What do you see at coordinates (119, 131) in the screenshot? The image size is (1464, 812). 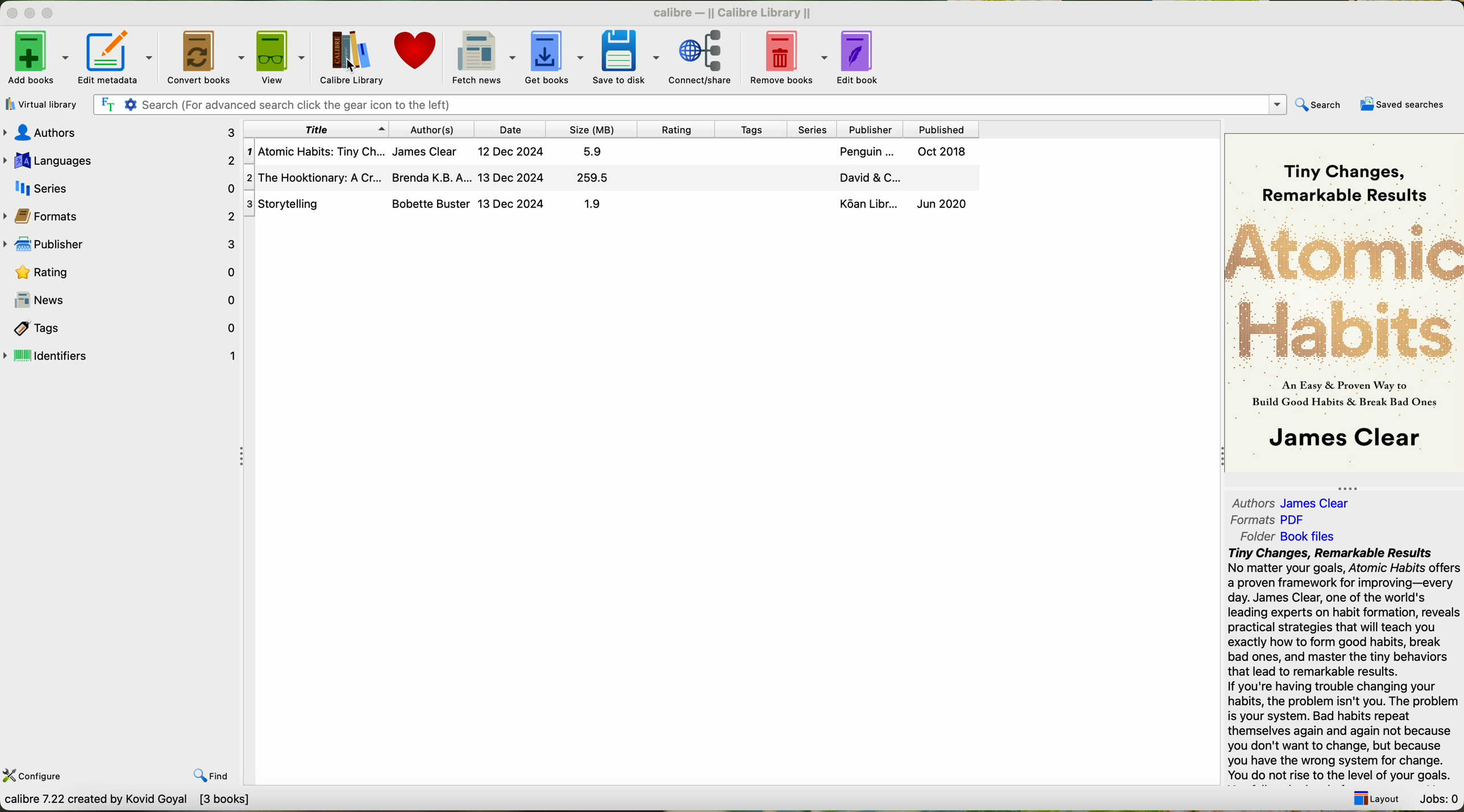 I see `authors` at bounding box center [119, 131].